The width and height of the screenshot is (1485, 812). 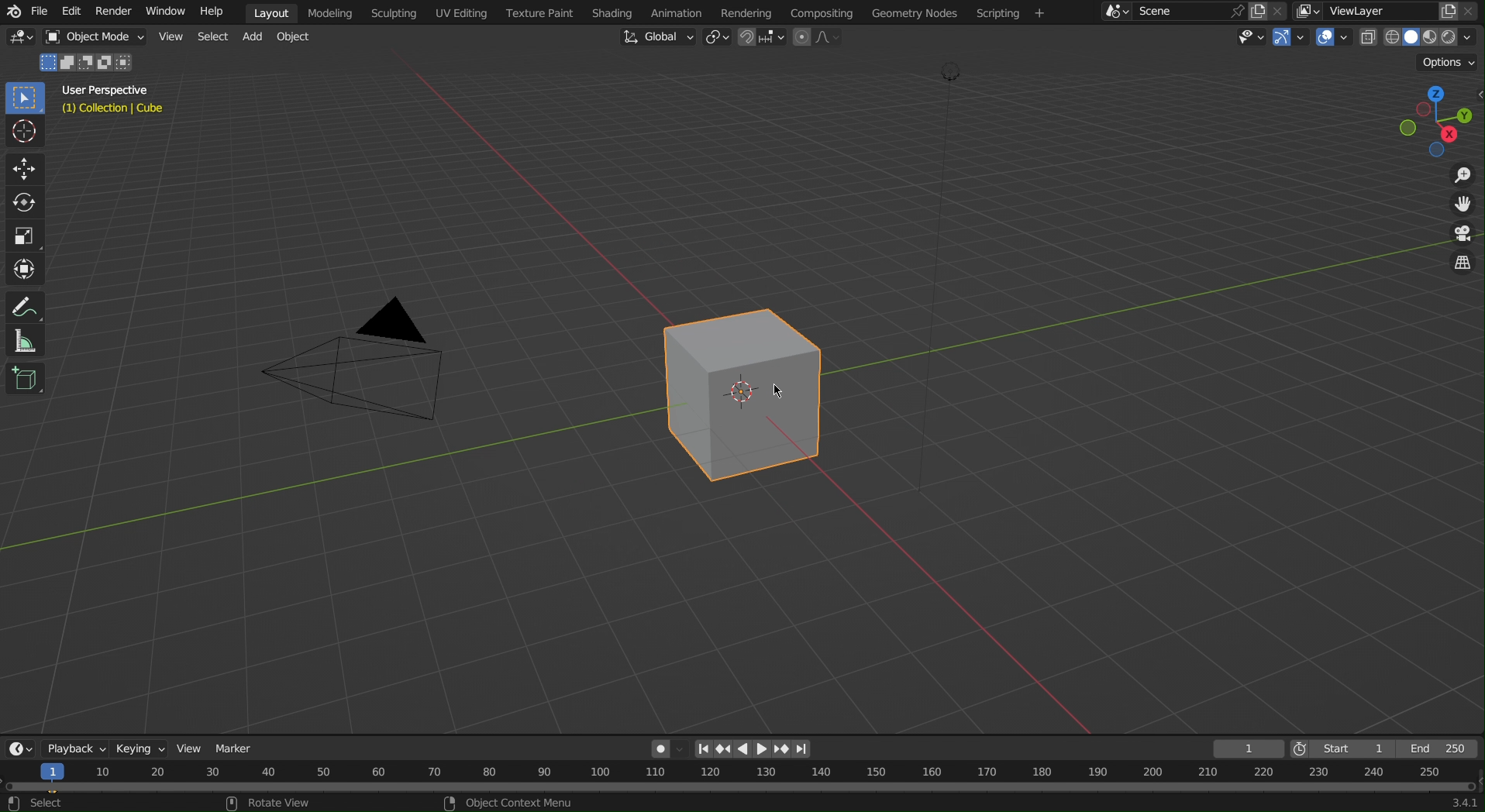 What do you see at coordinates (778, 390) in the screenshot?
I see `cursor` at bounding box center [778, 390].